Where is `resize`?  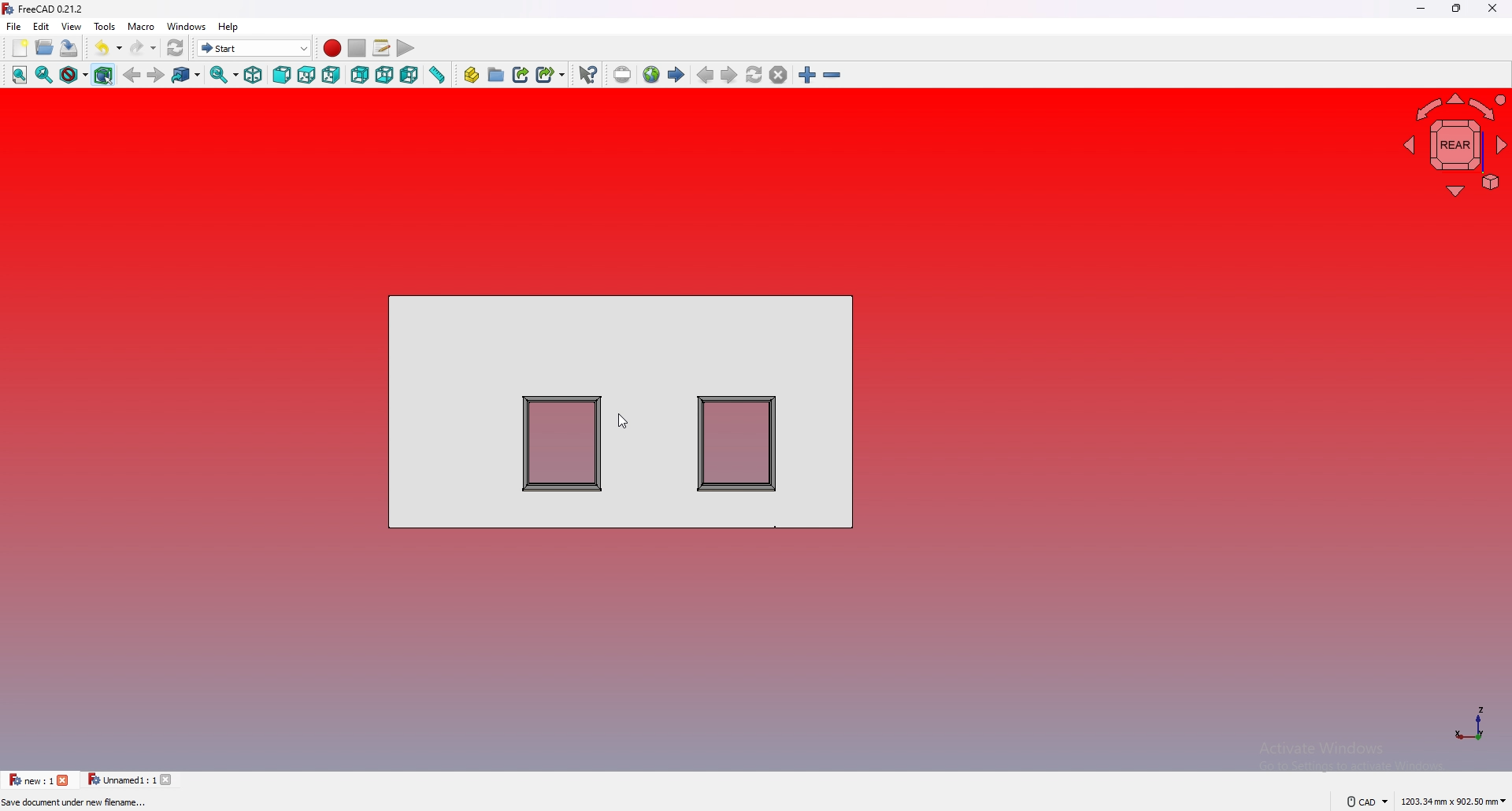 resize is located at coordinates (1456, 9).